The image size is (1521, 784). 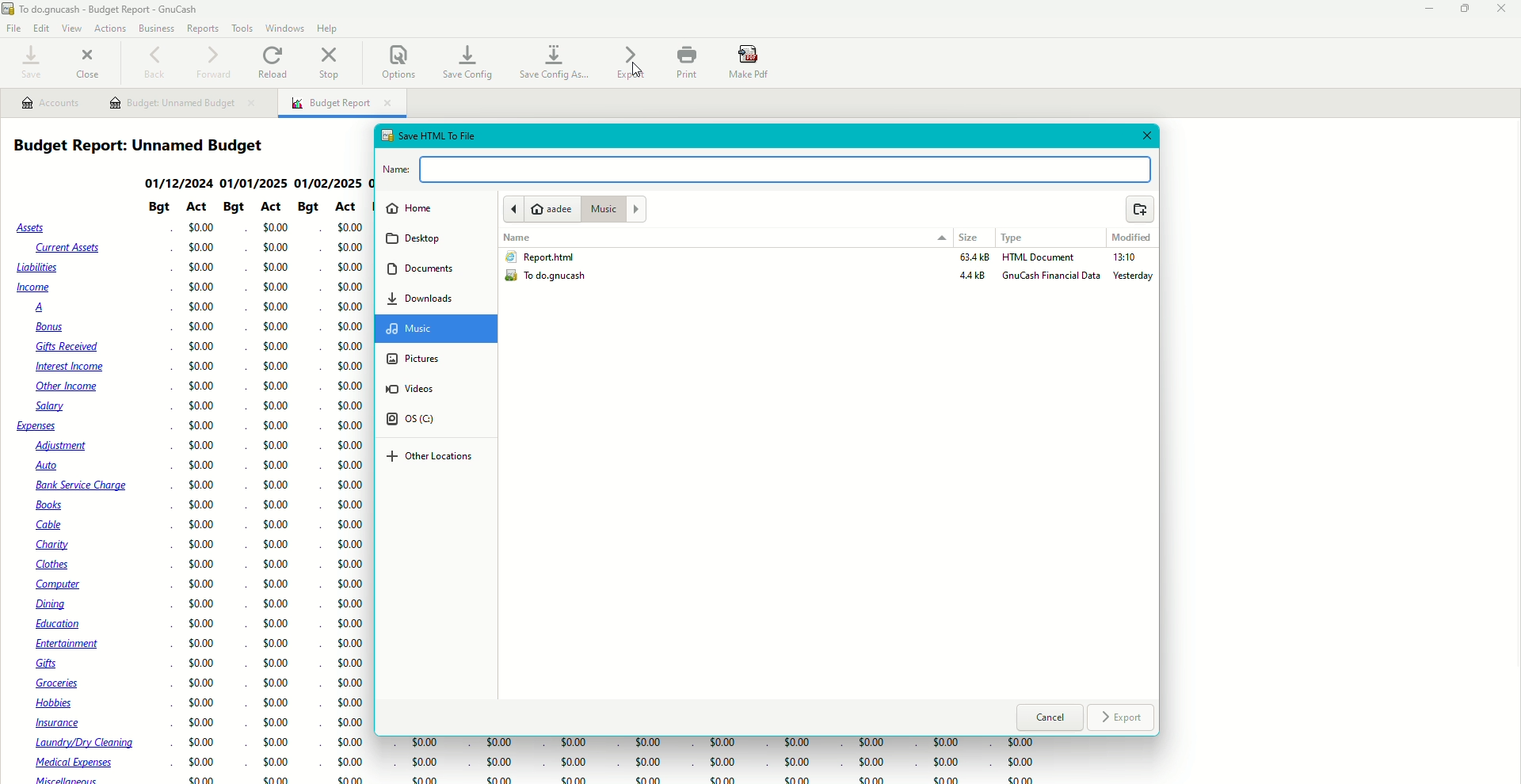 What do you see at coordinates (409, 208) in the screenshot?
I see `Home` at bounding box center [409, 208].